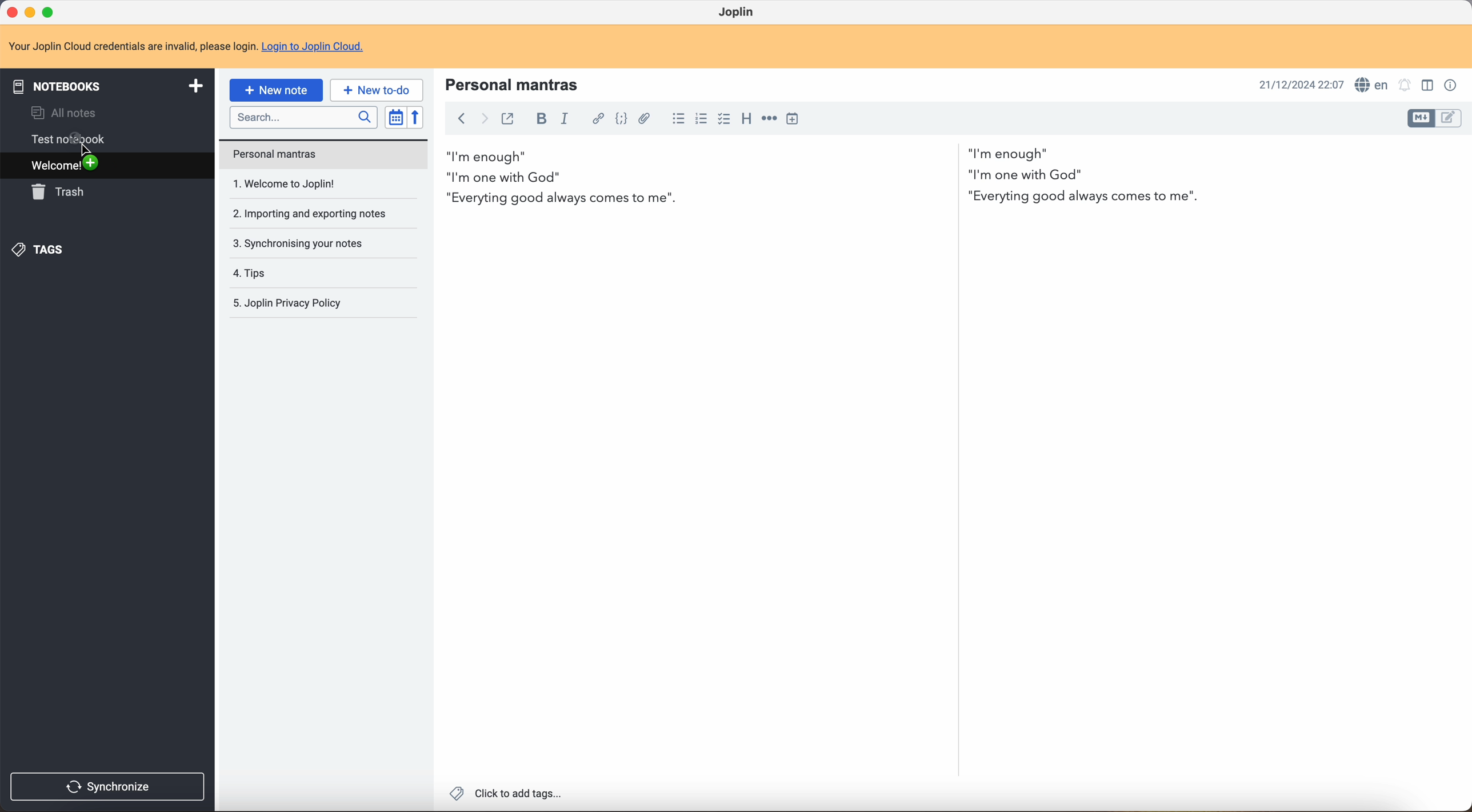 This screenshot has height=812, width=1472. What do you see at coordinates (1299, 85) in the screenshot?
I see `date and hour` at bounding box center [1299, 85].